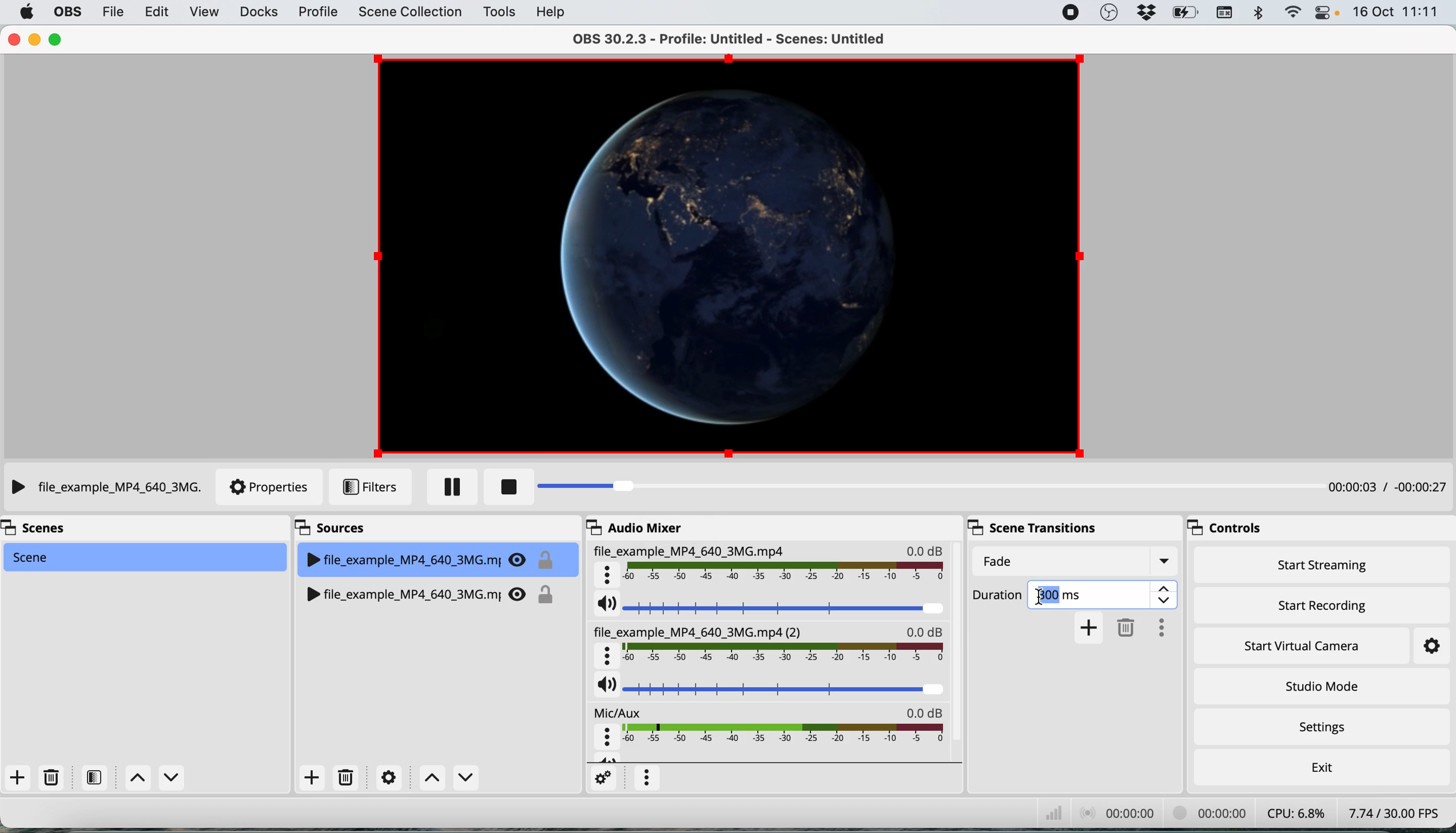 The height and width of the screenshot is (833, 1456). I want to click on video recording timestamp, so click(1205, 813).